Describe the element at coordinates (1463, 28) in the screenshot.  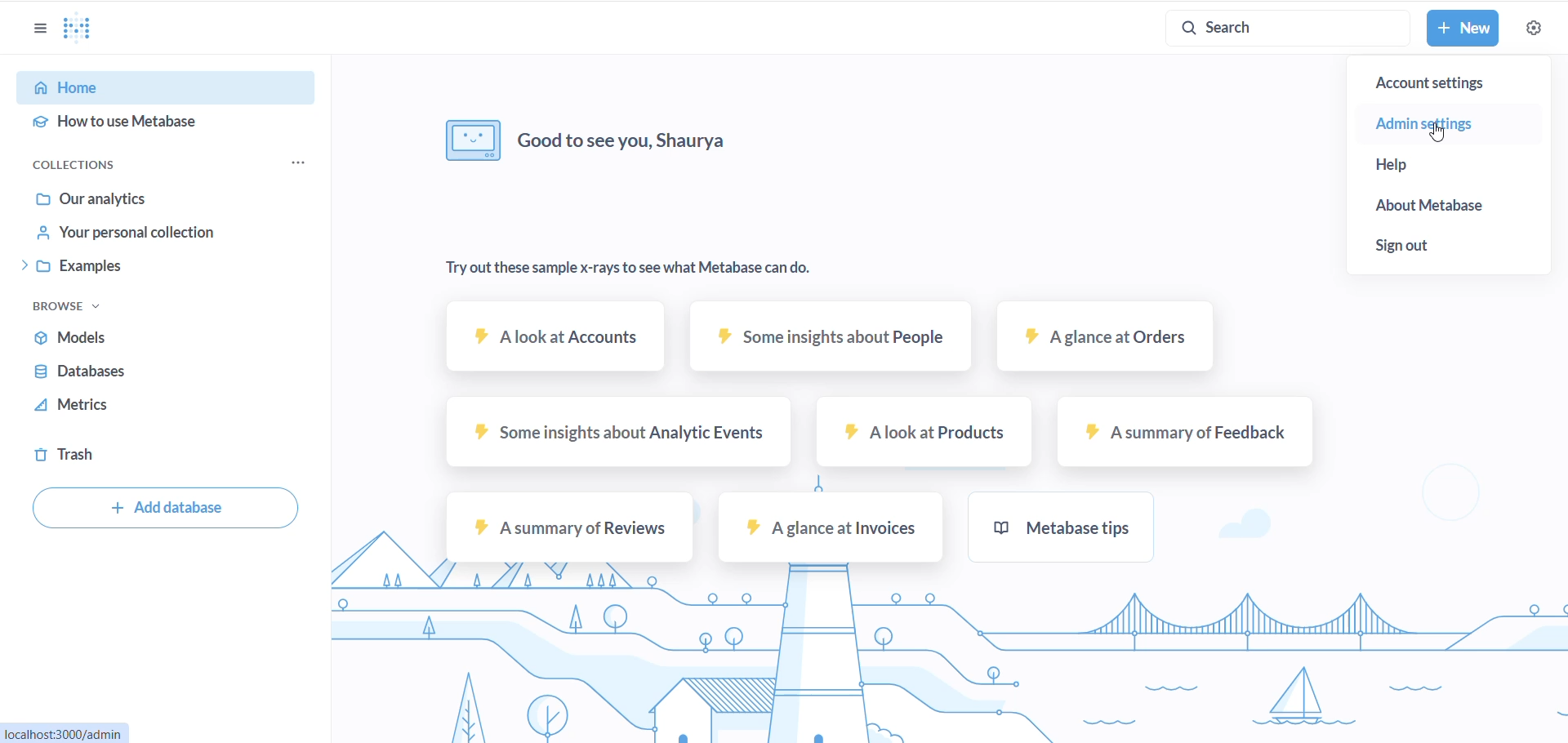
I see `NEW BUTTON` at that location.